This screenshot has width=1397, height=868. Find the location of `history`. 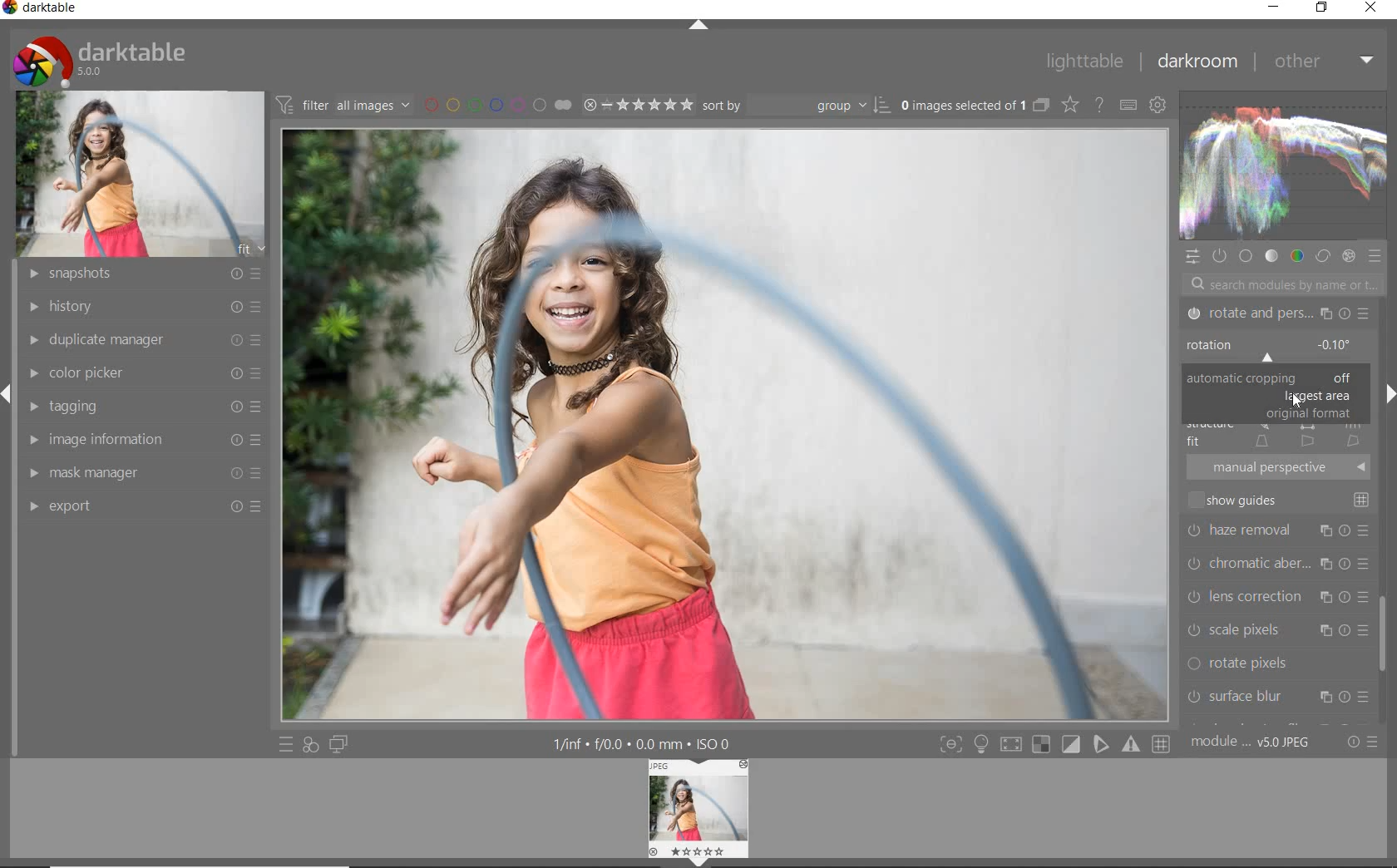

history is located at coordinates (146, 306).